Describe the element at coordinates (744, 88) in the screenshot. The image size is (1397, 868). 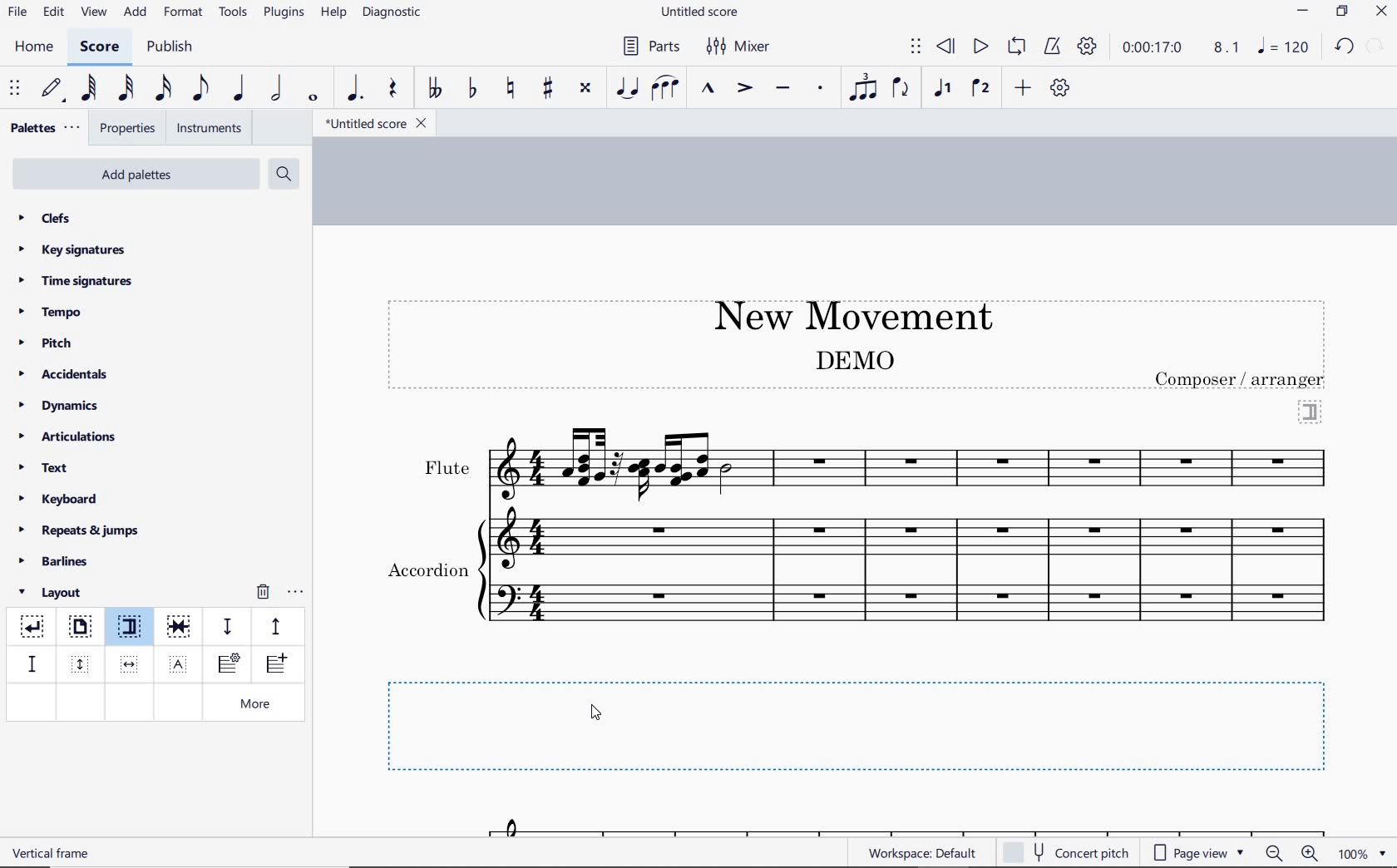
I see `accent` at that location.